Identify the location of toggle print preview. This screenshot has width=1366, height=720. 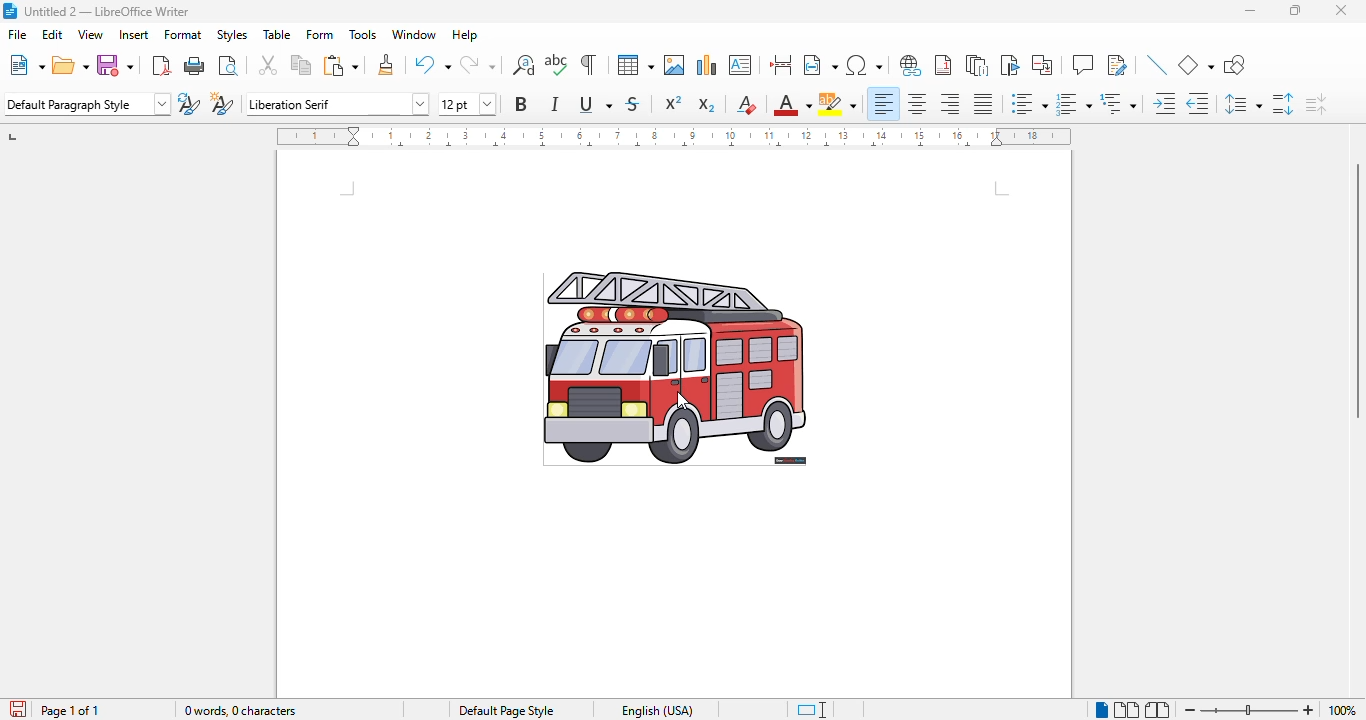
(228, 65).